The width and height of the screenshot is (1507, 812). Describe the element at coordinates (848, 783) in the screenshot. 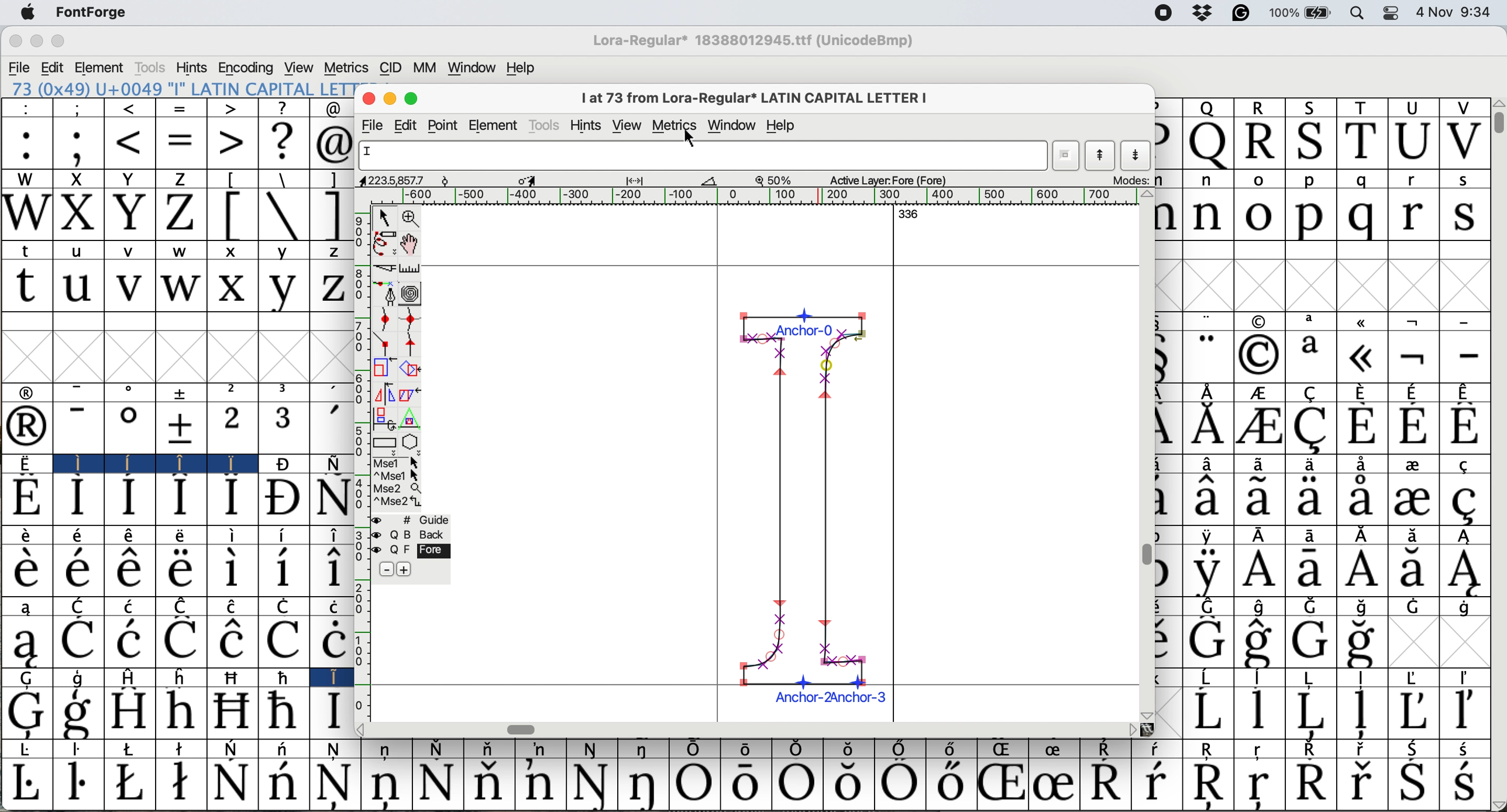

I see `Symbol` at that location.